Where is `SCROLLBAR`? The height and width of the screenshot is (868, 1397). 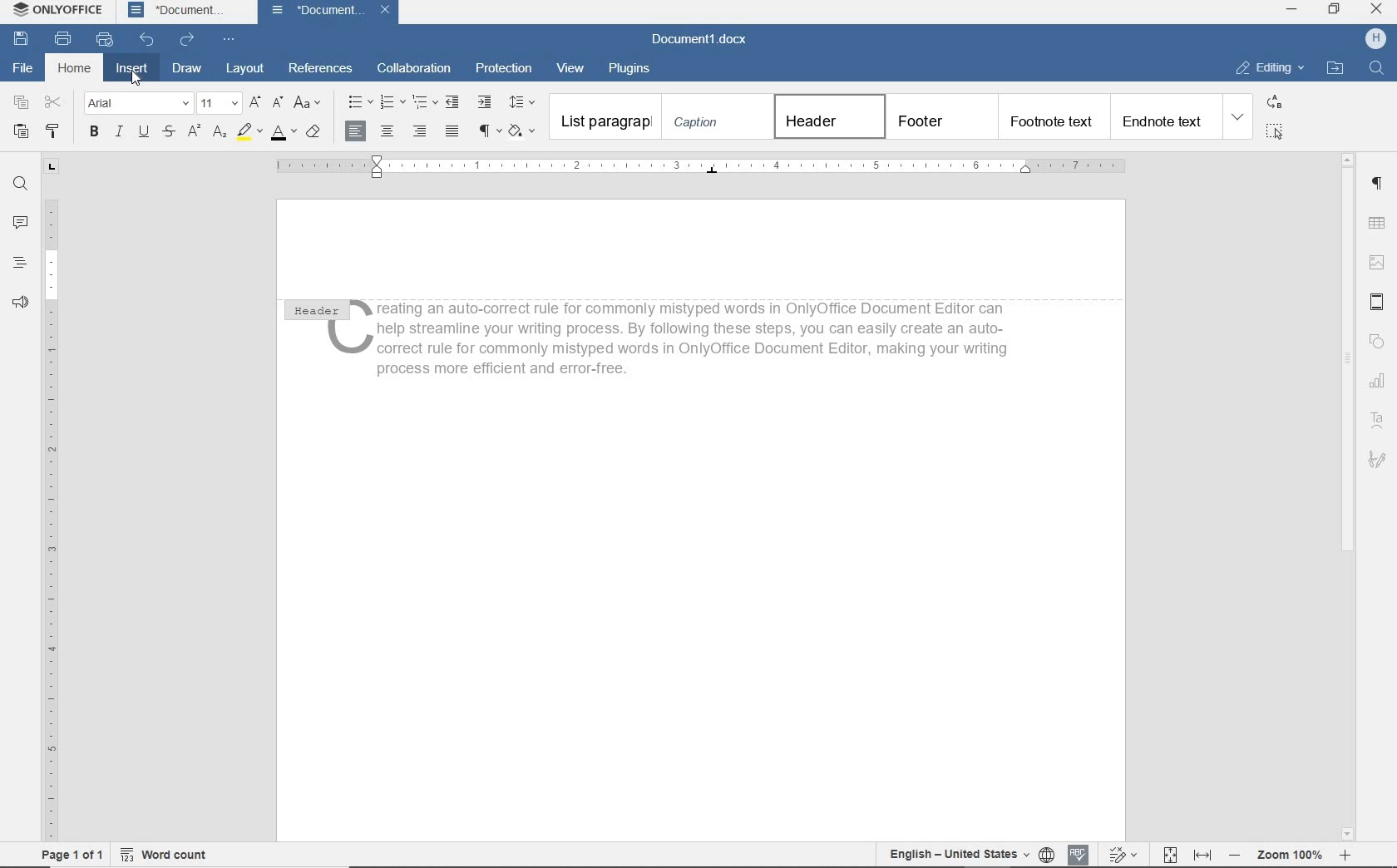 SCROLLBAR is located at coordinates (1348, 496).